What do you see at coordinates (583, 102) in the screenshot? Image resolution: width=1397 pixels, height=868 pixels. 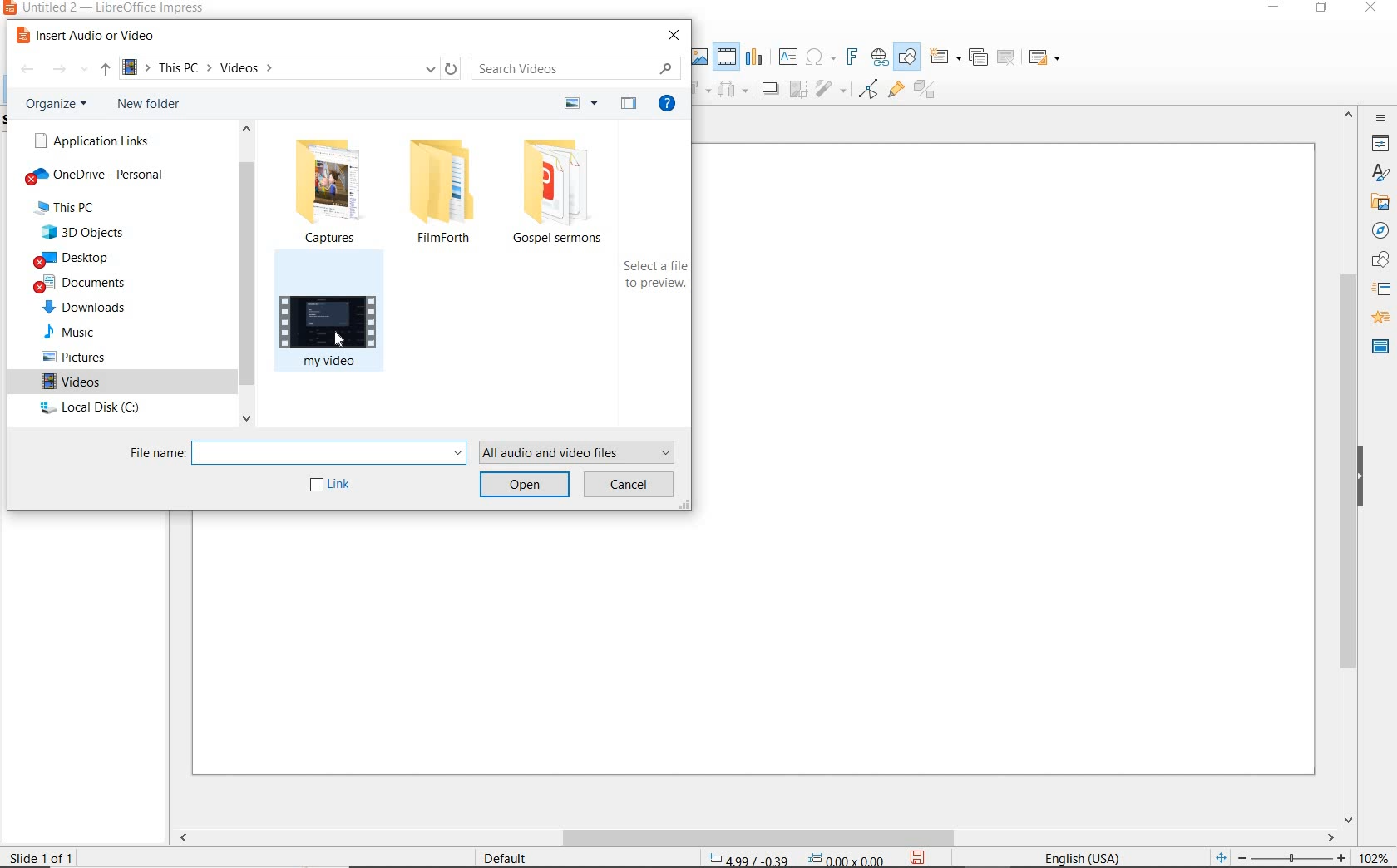 I see `CHANGE YOUR VIEW ` at bounding box center [583, 102].